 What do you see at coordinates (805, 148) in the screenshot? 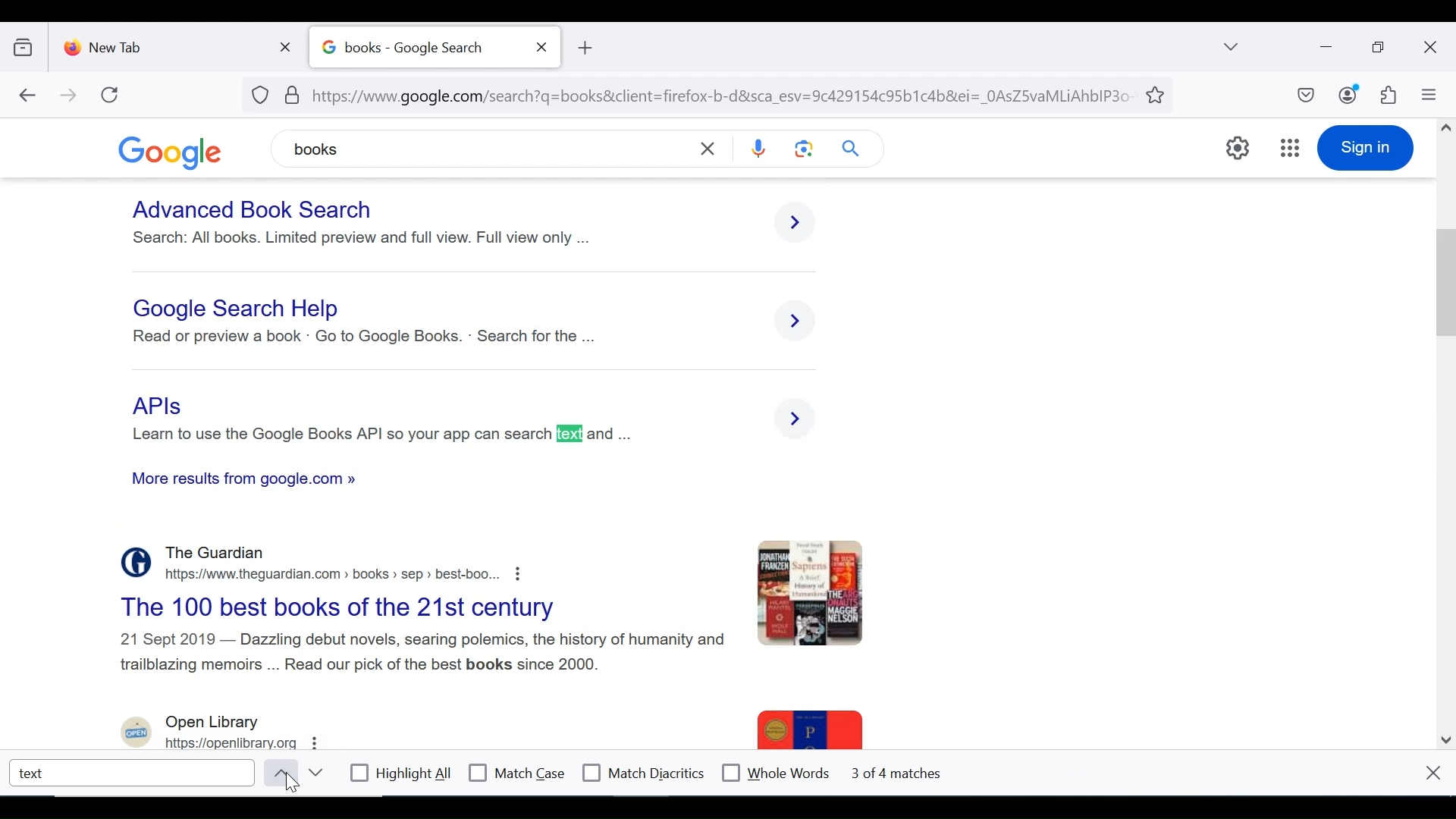
I see `google lens` at bounding box center [805, 148].